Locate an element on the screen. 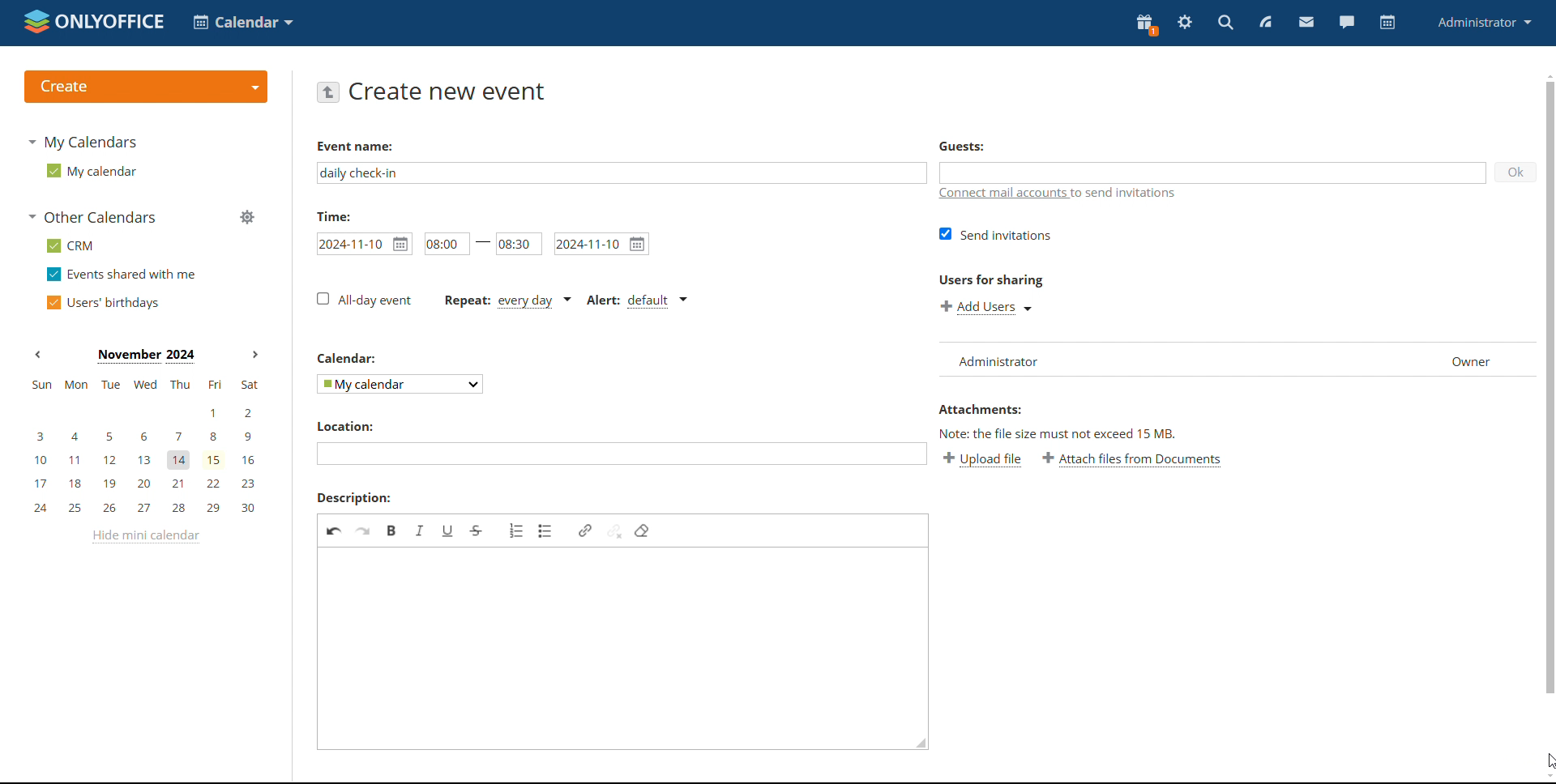 The width and height of the screenshot is (1556, 784). search is located at coordinates (1225, 23).